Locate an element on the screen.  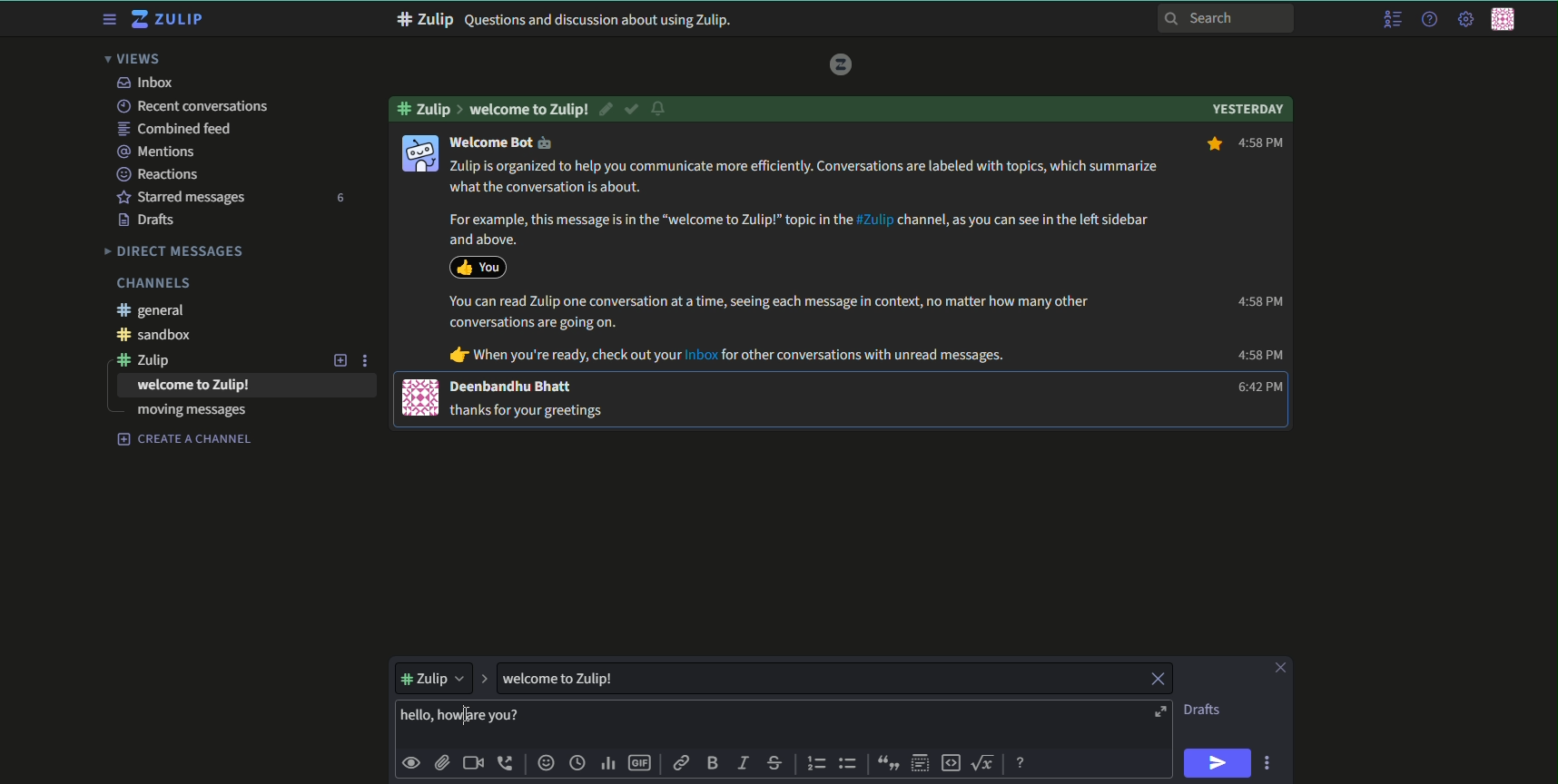
You can read Zulip one conversation at a time, seeing each message in context, no matter how many other
conversations are going on. is located at coordinates (770, 312).